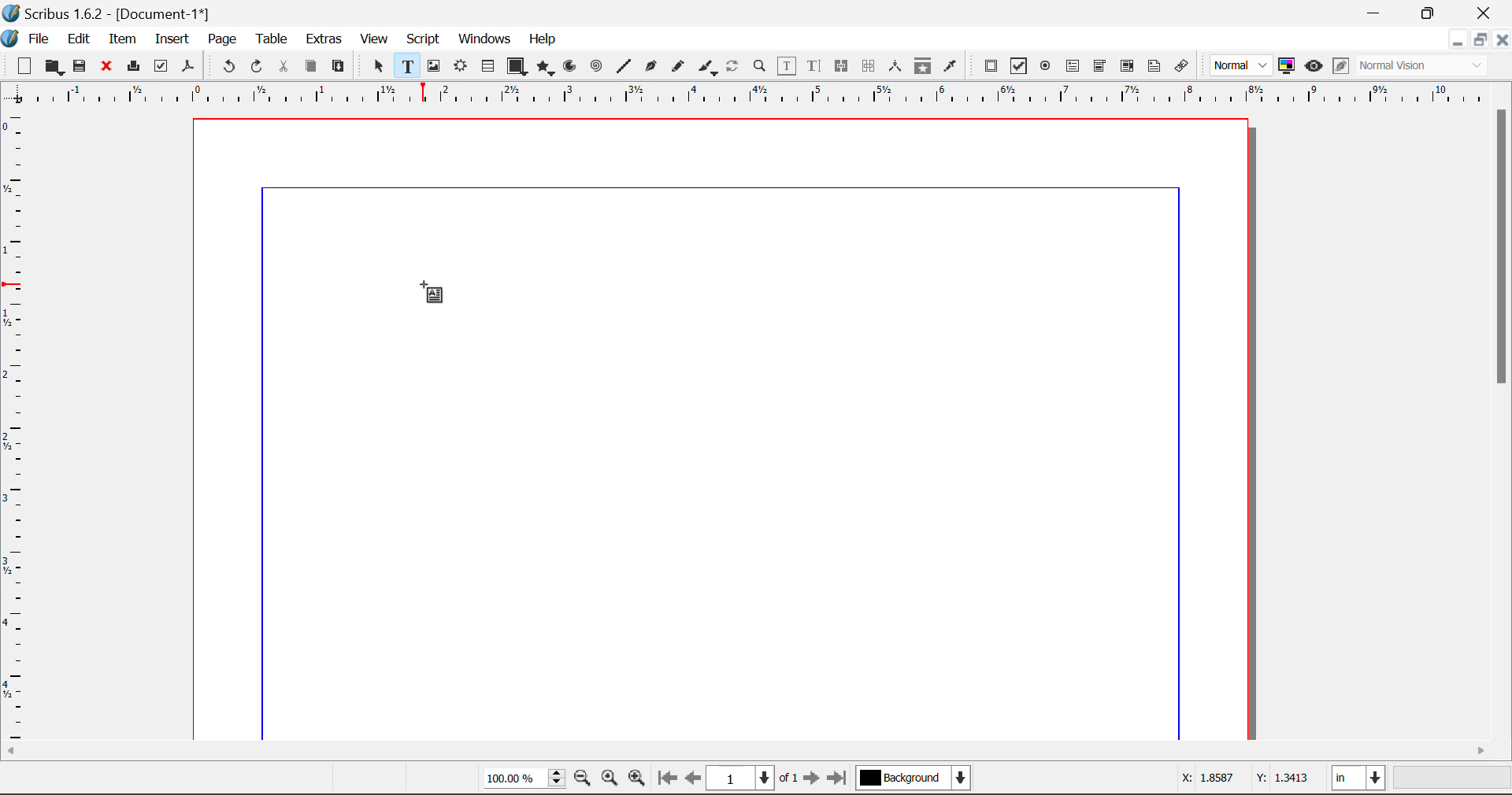 The image size is (1512, 795). I want to click on Calligraphic Line, so click(704, 67).